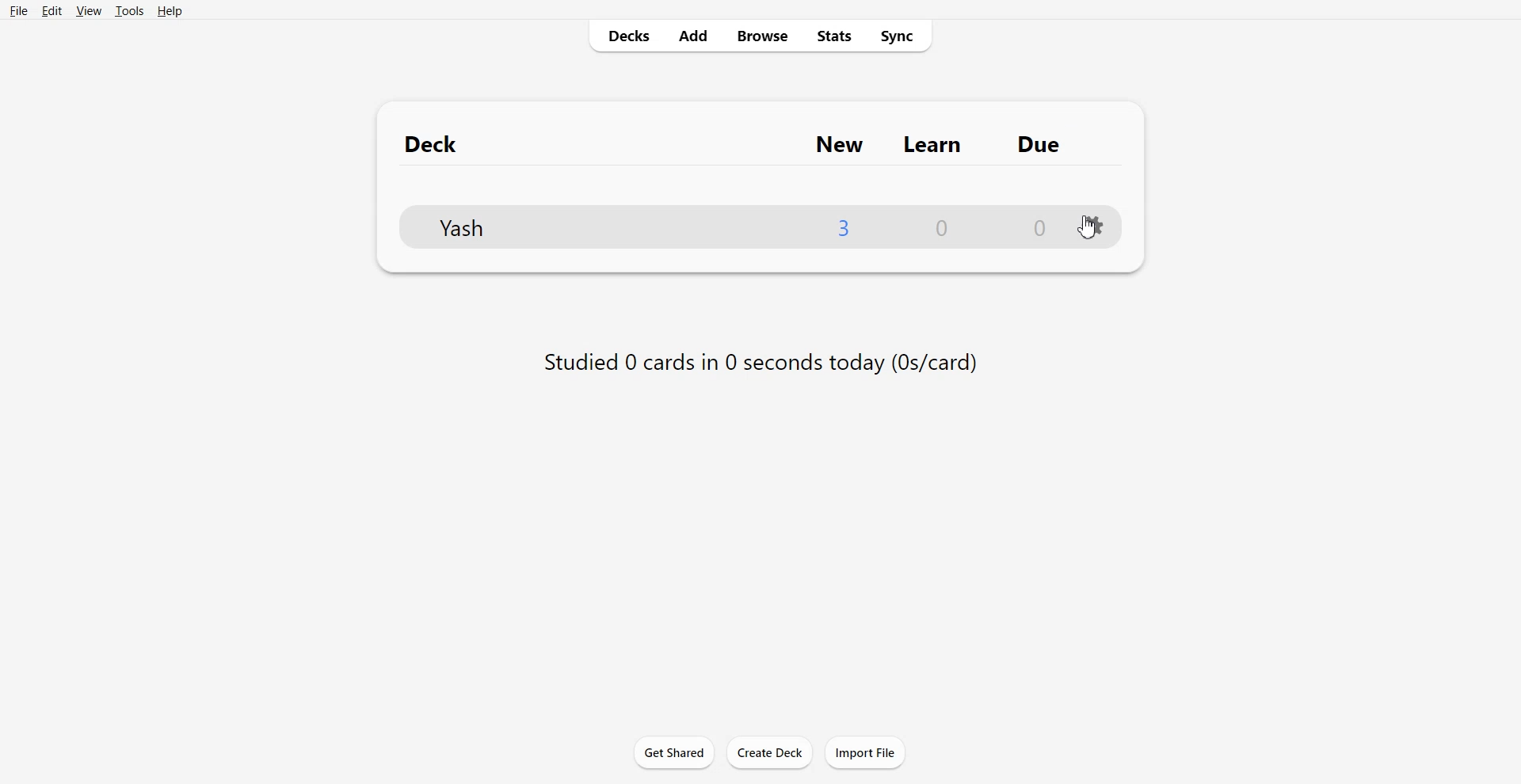 This screenshot has height=784, width=1521. I want to click on Get shared, so click(673, 752).